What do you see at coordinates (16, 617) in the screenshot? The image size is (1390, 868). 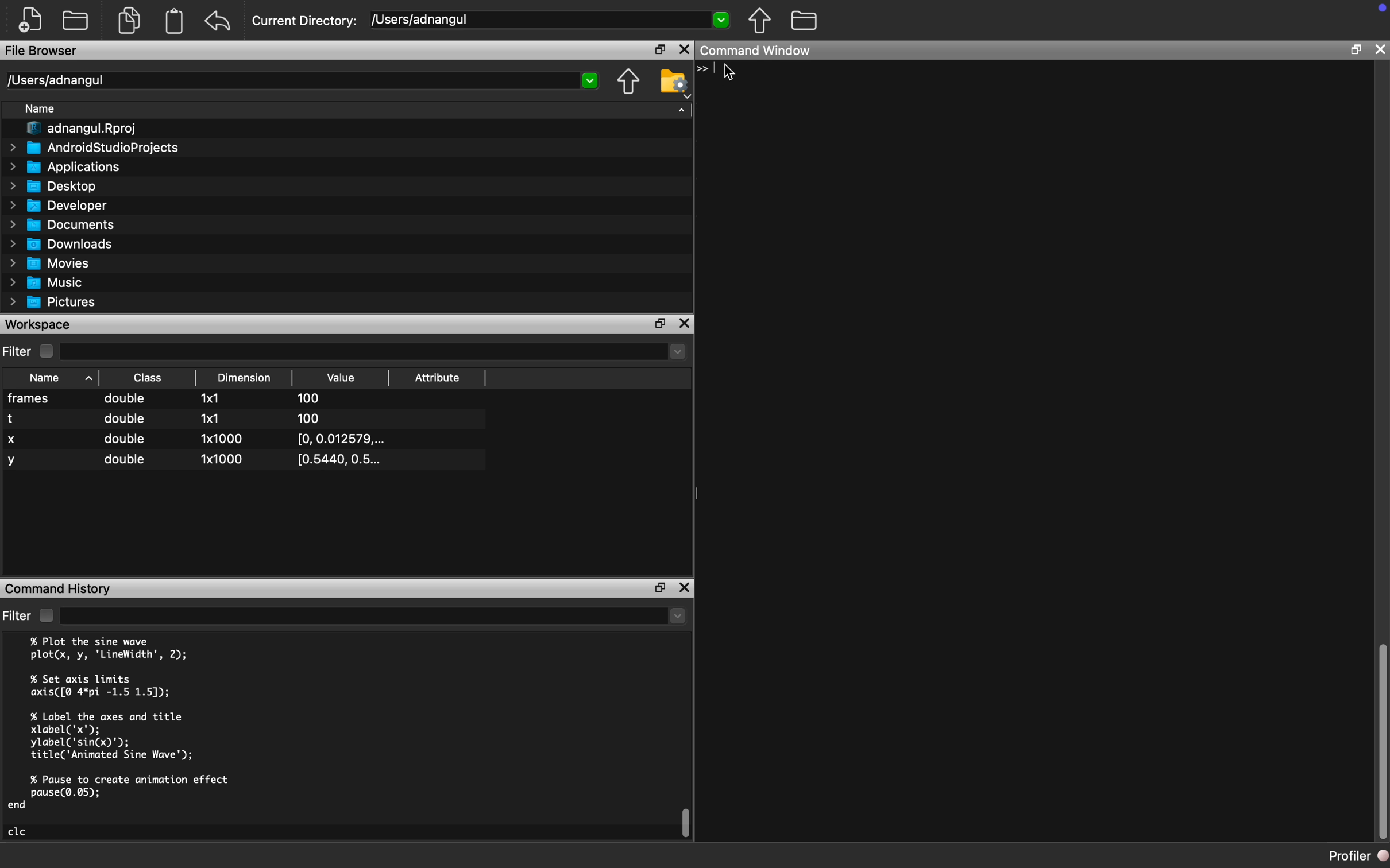 I see `Filter` at bounding box center [16, 617].